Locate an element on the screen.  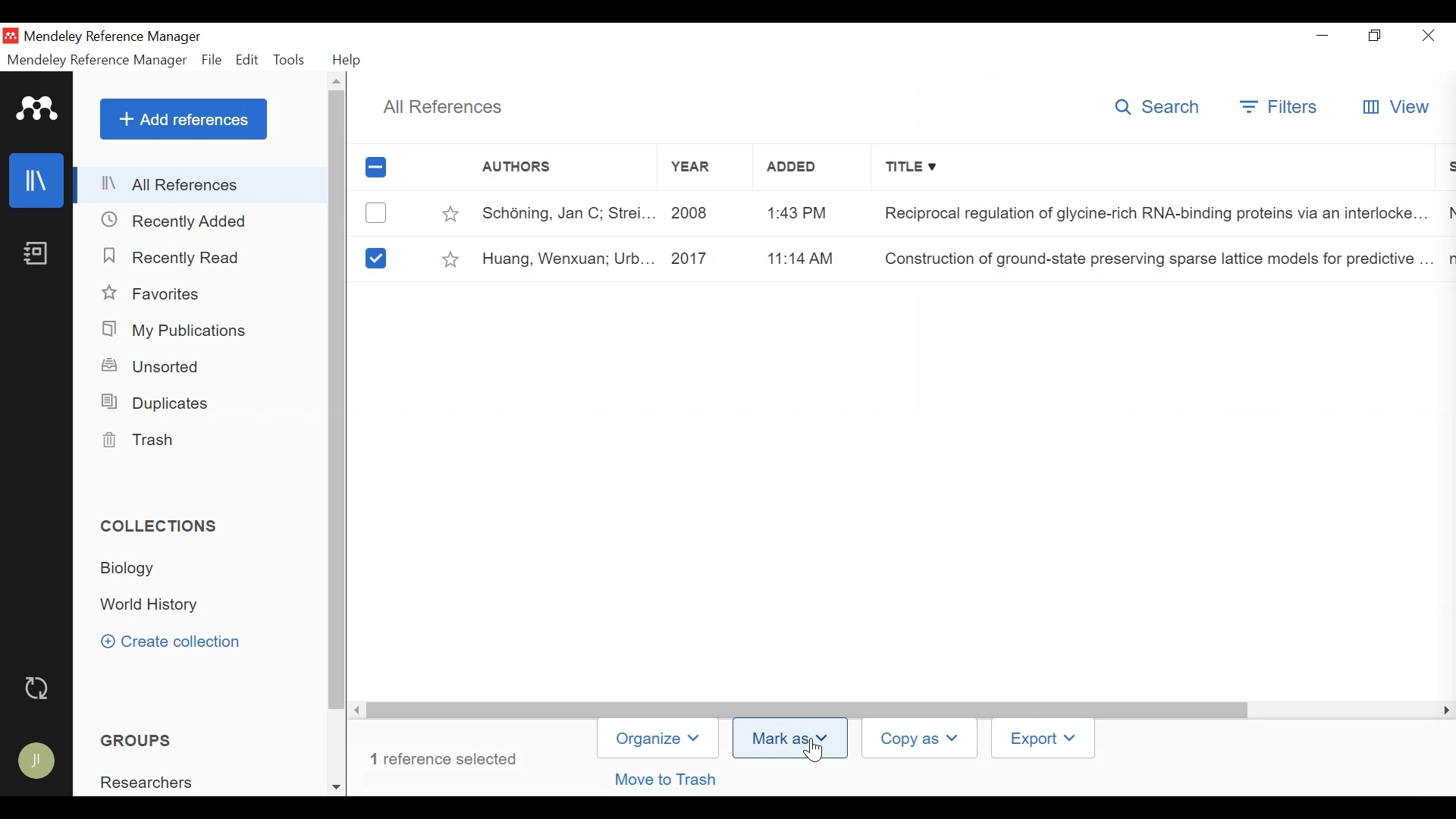
Mark As is located at coordinates (790, 738).